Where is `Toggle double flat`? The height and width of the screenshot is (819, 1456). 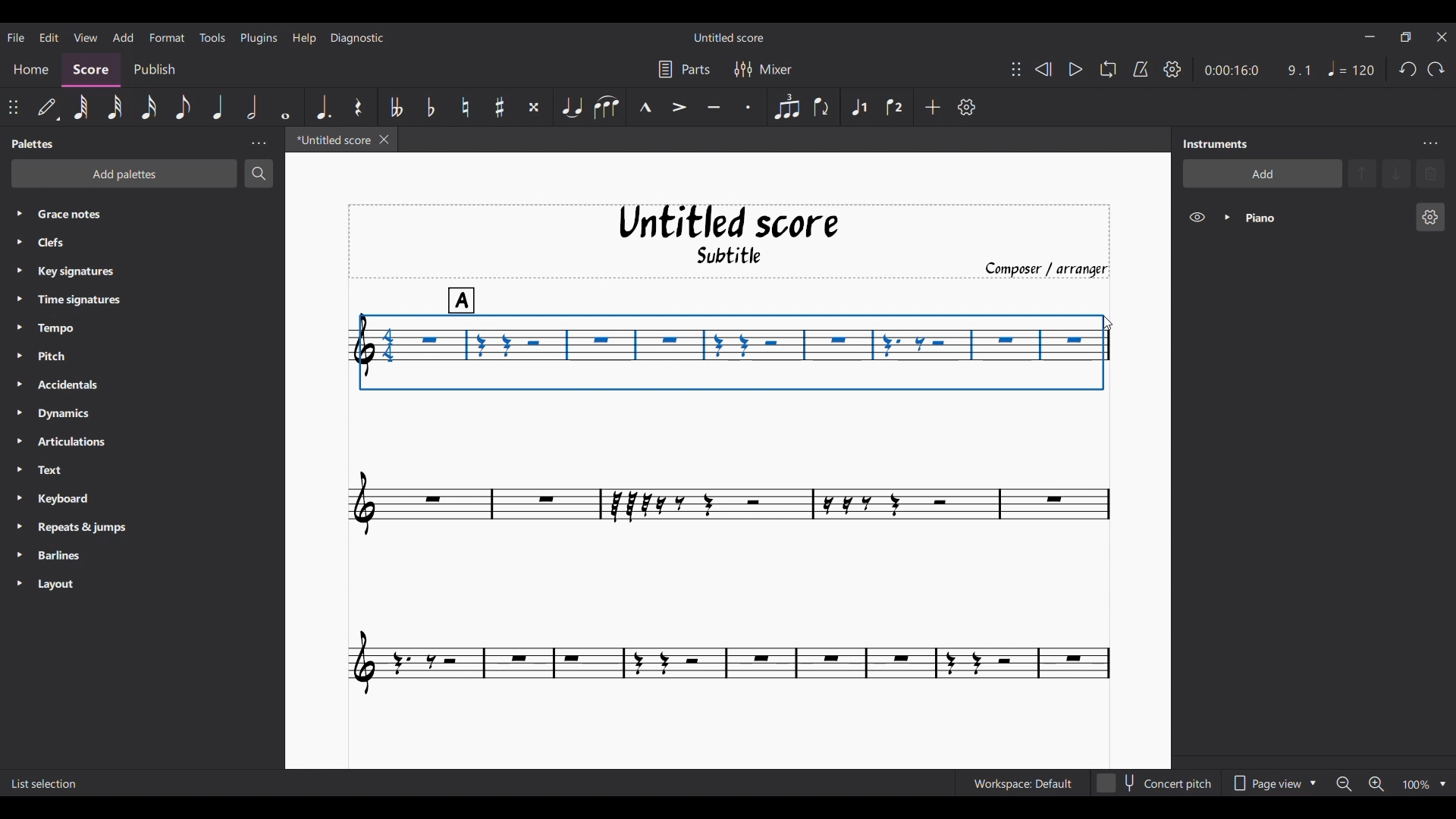 Toggle double flat is located at coordinates (397, 107).